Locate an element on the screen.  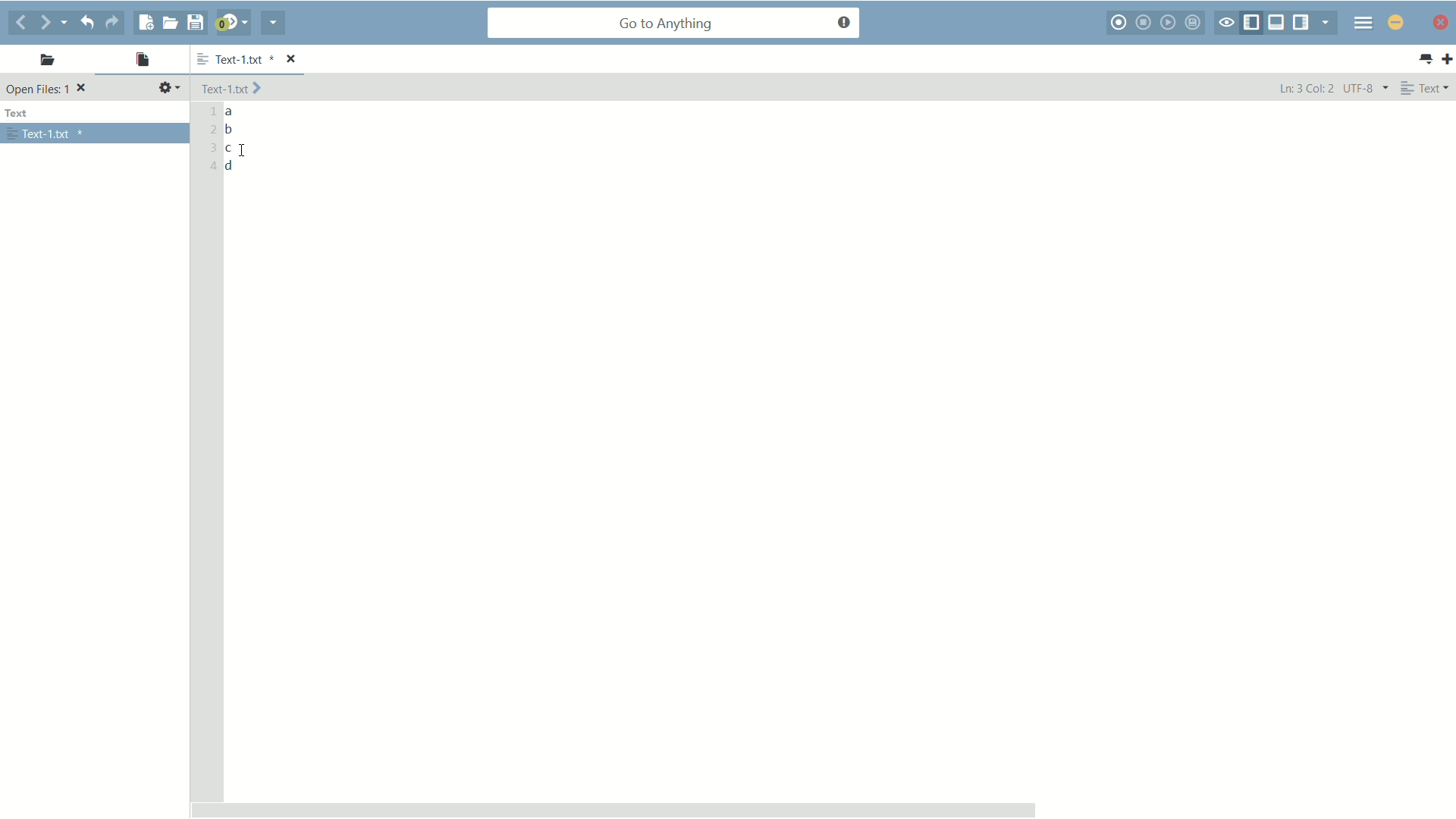
show/hide left pane is located at coordinates (1254, 21).